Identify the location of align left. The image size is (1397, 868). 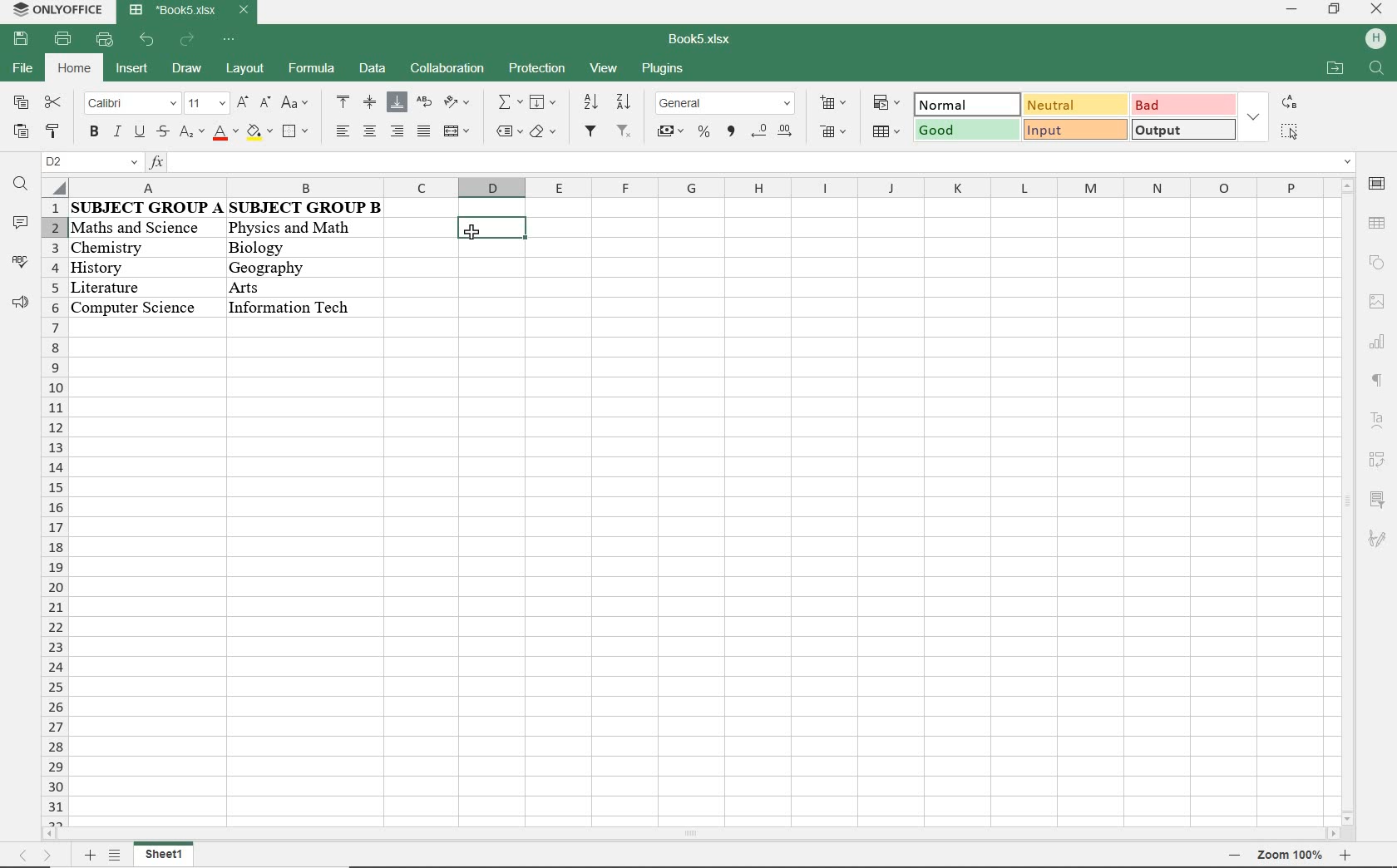
(345, 131).